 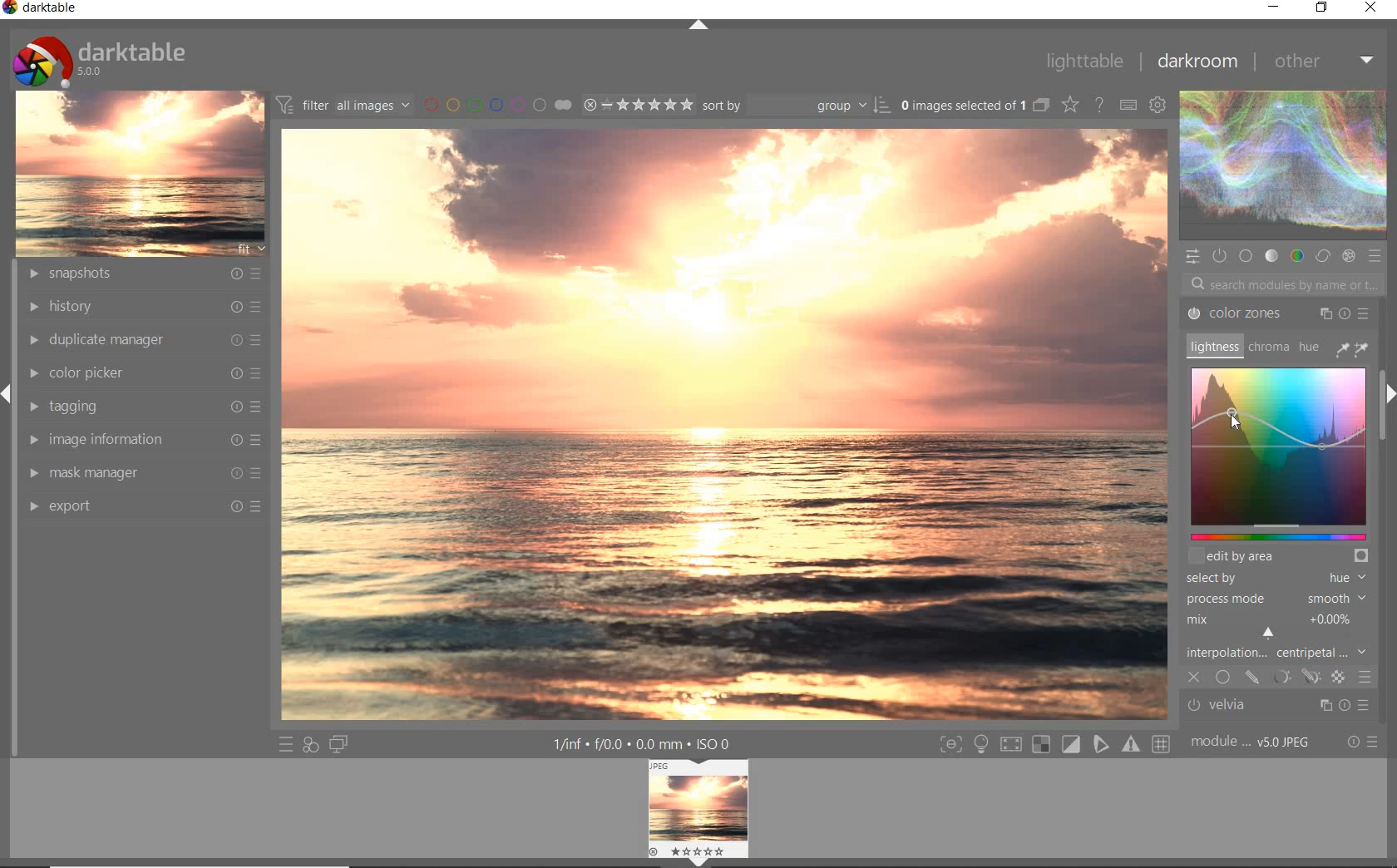 What do you see at coordinates (1267, 348) in the screenshot?
I see `CHROMA` at bounding box center [1267, 348].